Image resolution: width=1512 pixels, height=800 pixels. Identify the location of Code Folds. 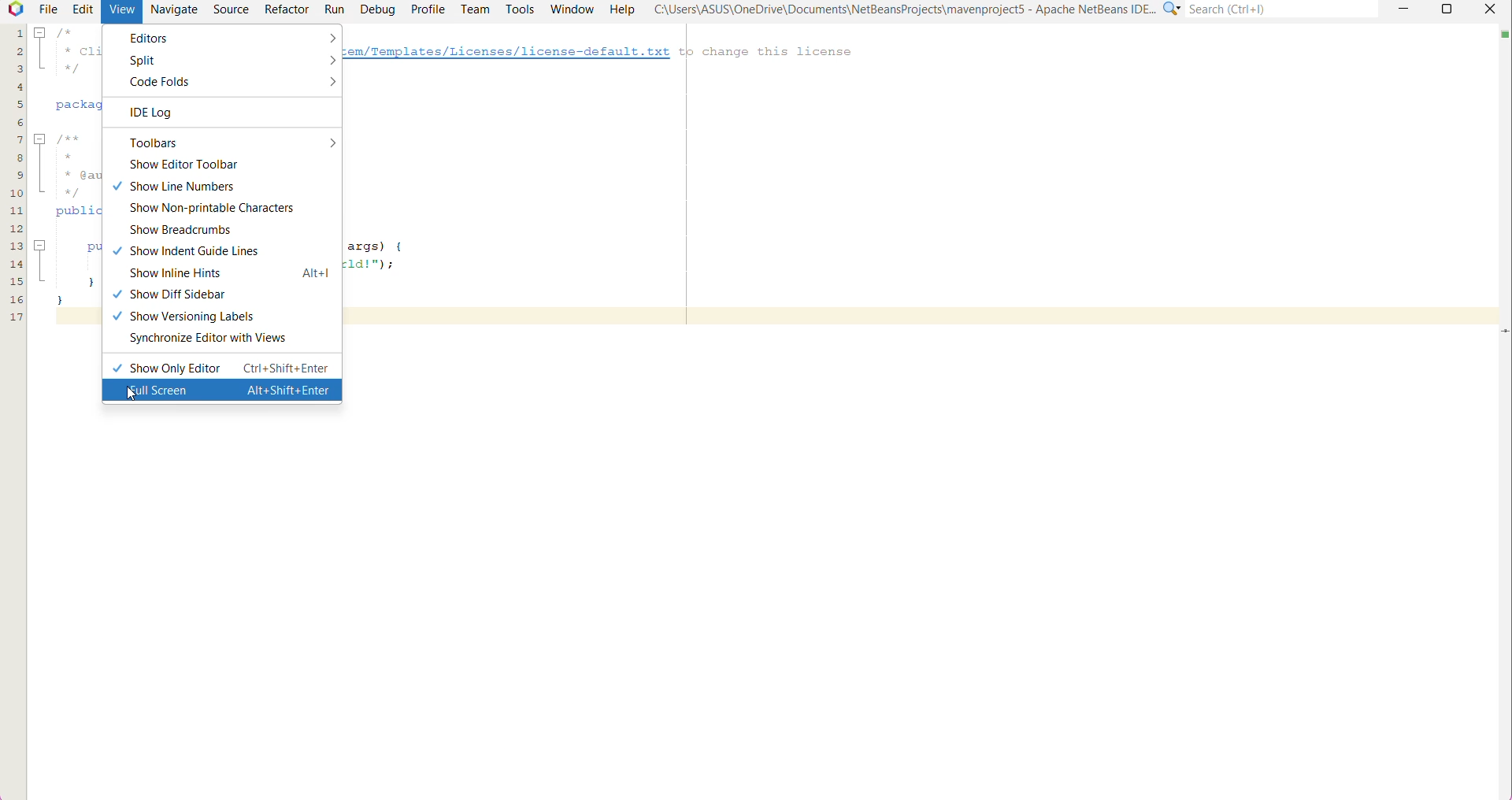
(231, 83).